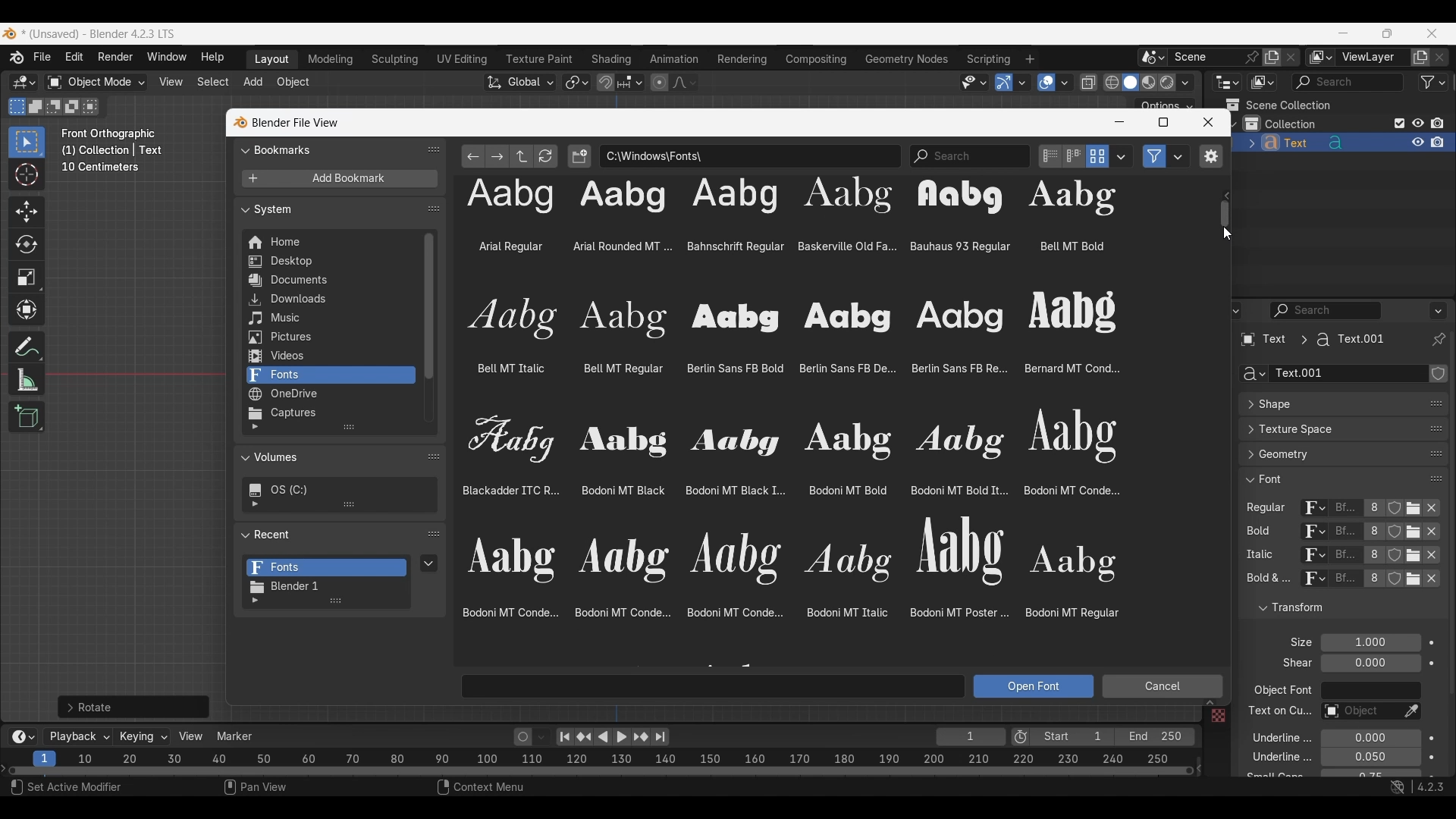  I want to click on , so click(1216, 717).